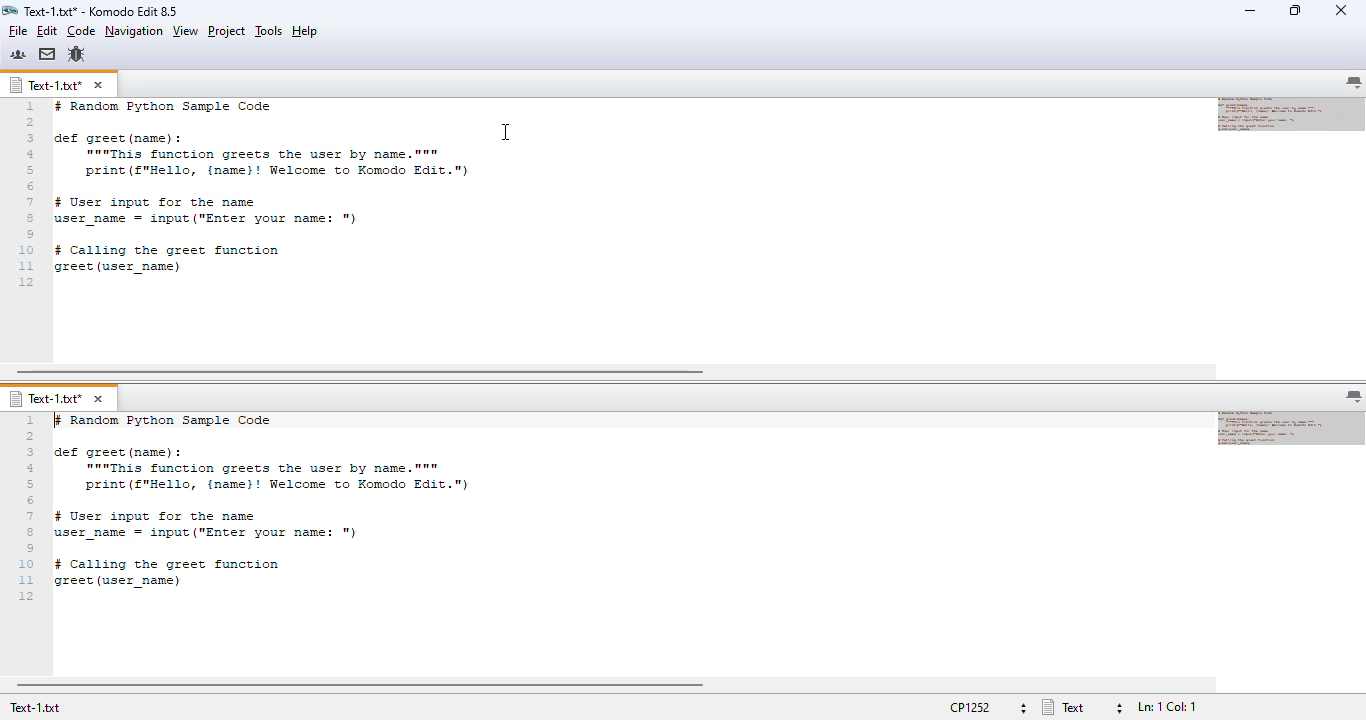  I want to click on file encoding, so click(967, 711).